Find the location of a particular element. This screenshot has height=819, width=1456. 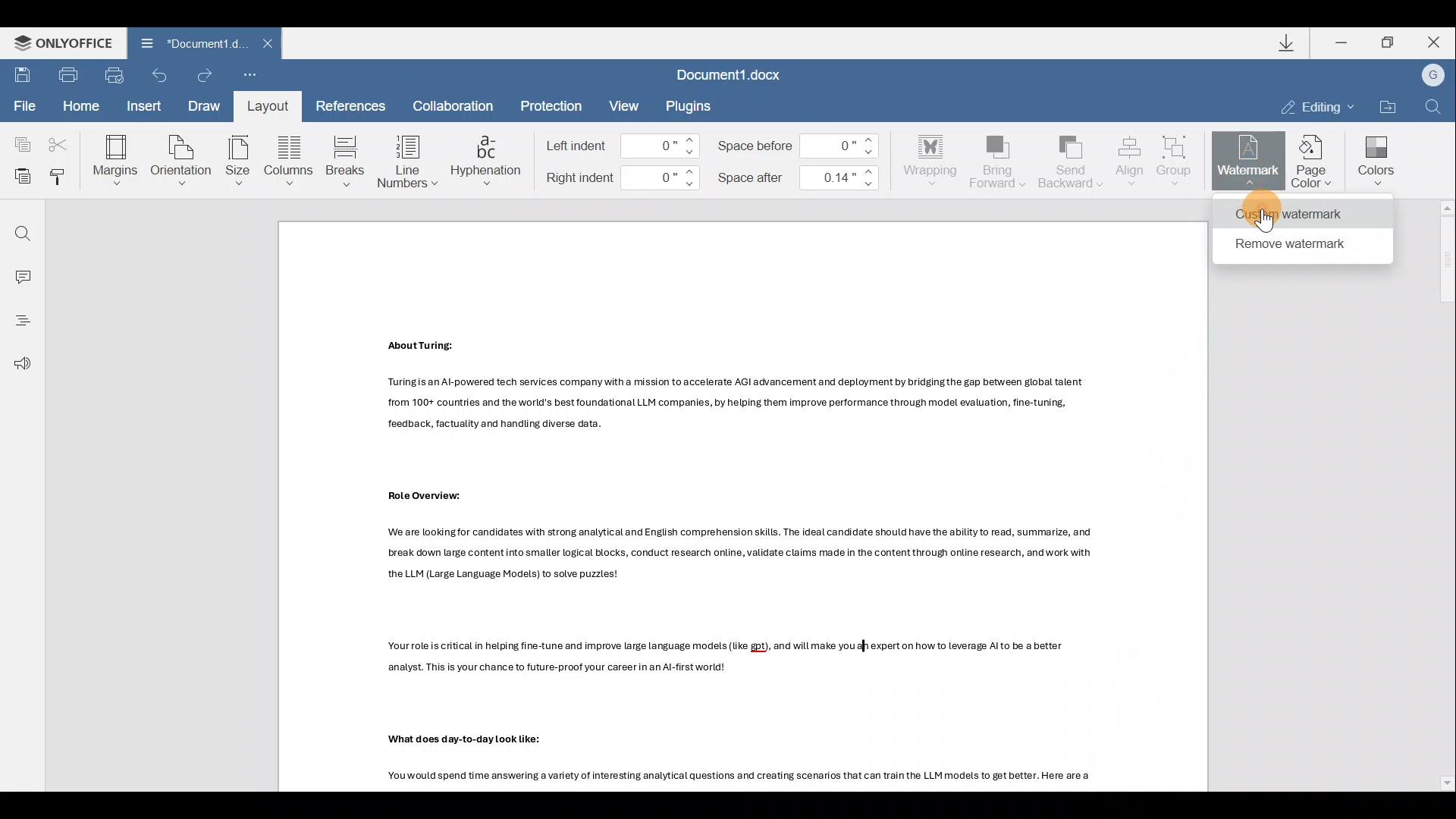

Account name is located at coordinates (1432, 74).